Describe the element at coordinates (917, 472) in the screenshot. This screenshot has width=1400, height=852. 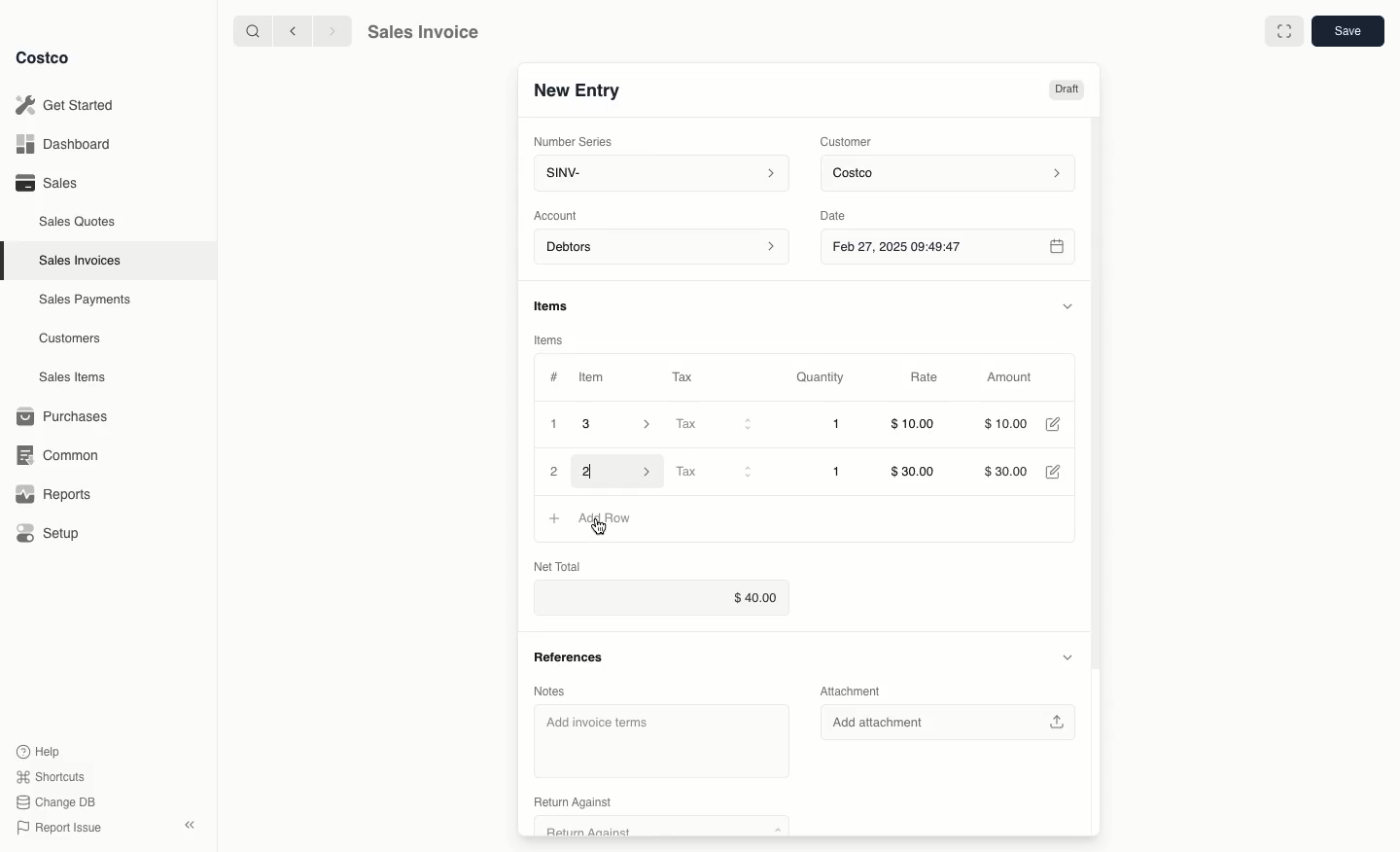
I see `$30.00` at that location.